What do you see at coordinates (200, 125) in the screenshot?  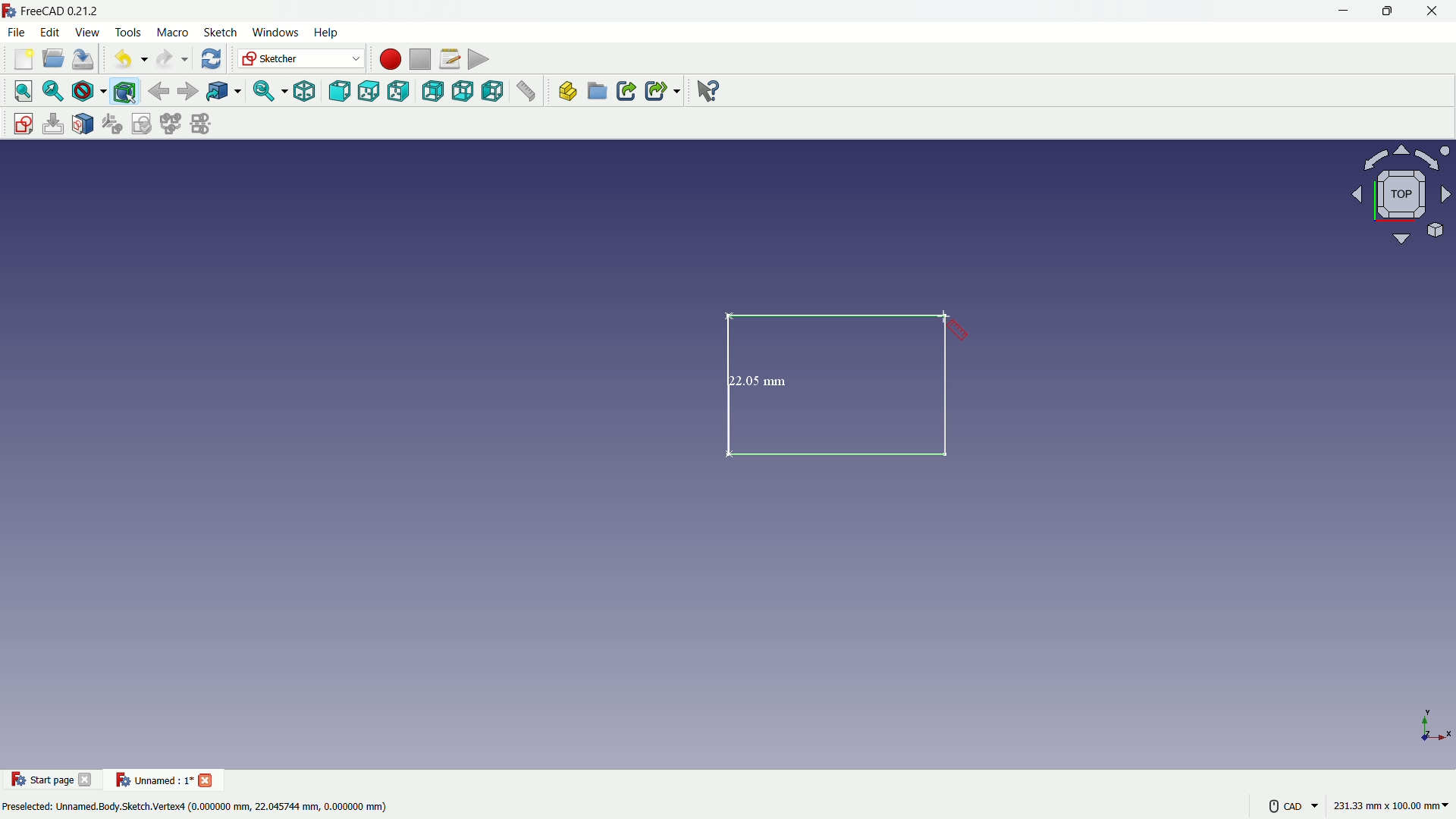 I see `mirror sketches` at bounding box center [200, 125].